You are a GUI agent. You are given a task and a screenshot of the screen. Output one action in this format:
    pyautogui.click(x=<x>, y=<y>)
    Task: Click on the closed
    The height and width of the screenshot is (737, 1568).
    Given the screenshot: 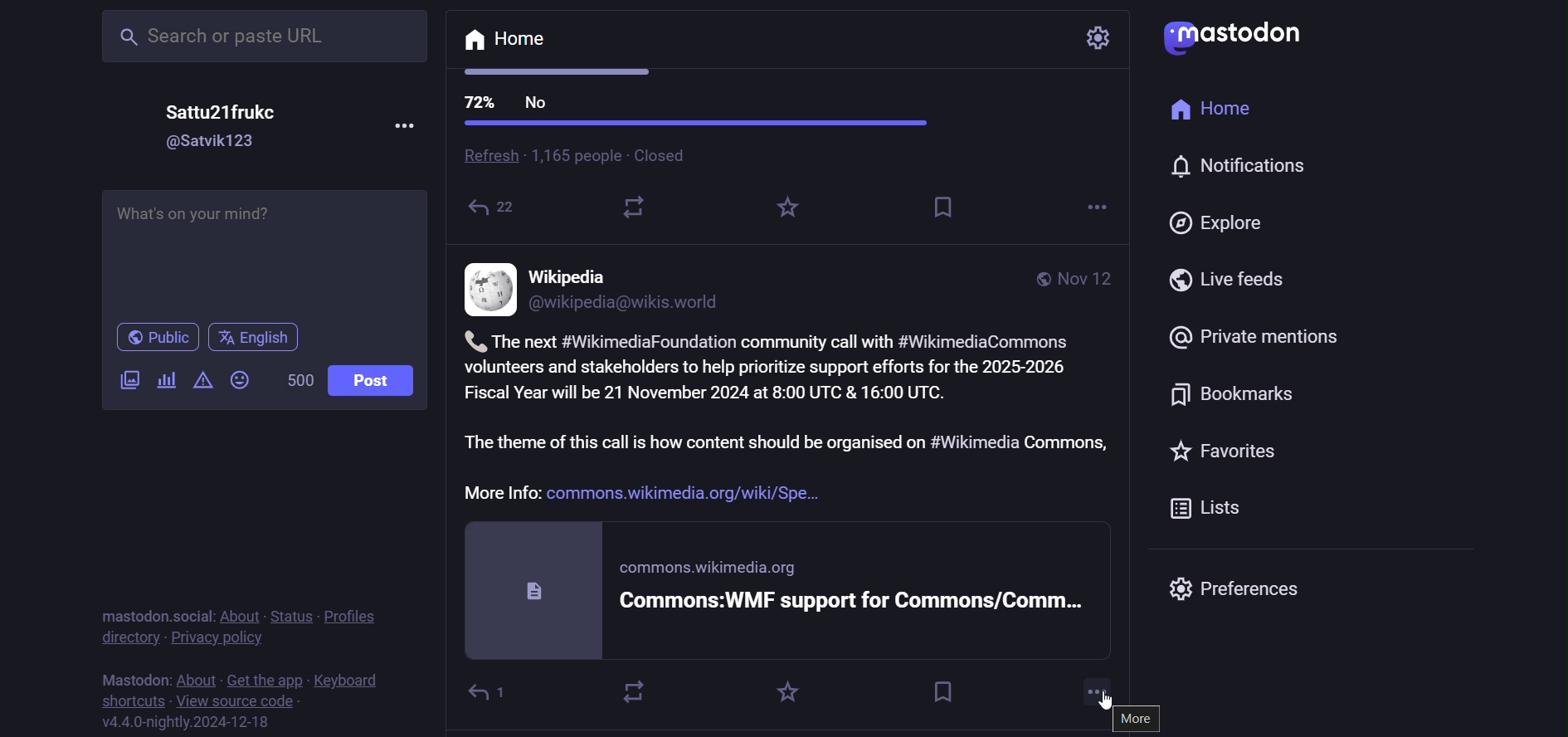 What is the action you would take?
    pyautogui.click(x=670, y=156)
    